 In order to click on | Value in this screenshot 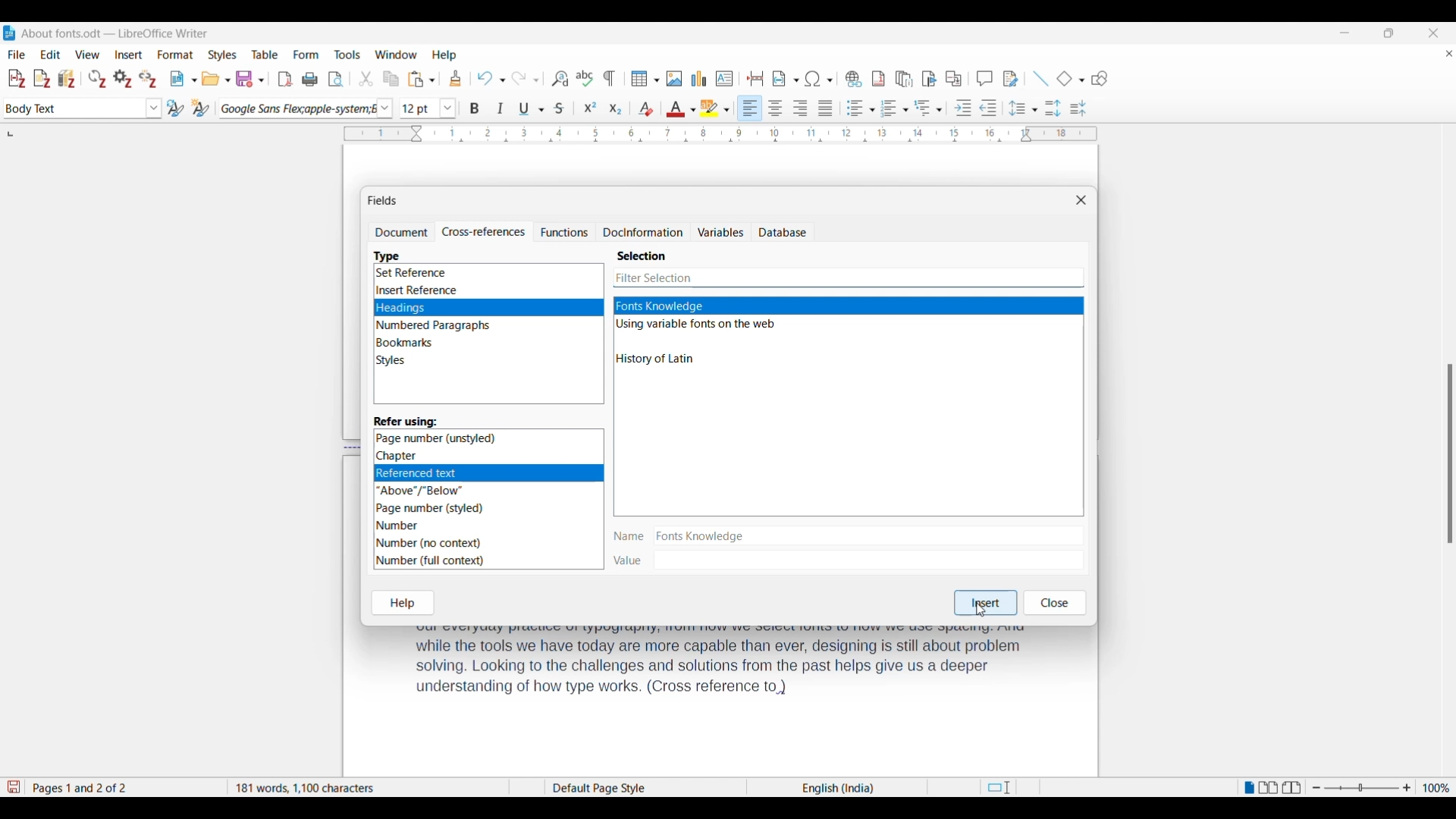, I will do `click(629, 560)`.